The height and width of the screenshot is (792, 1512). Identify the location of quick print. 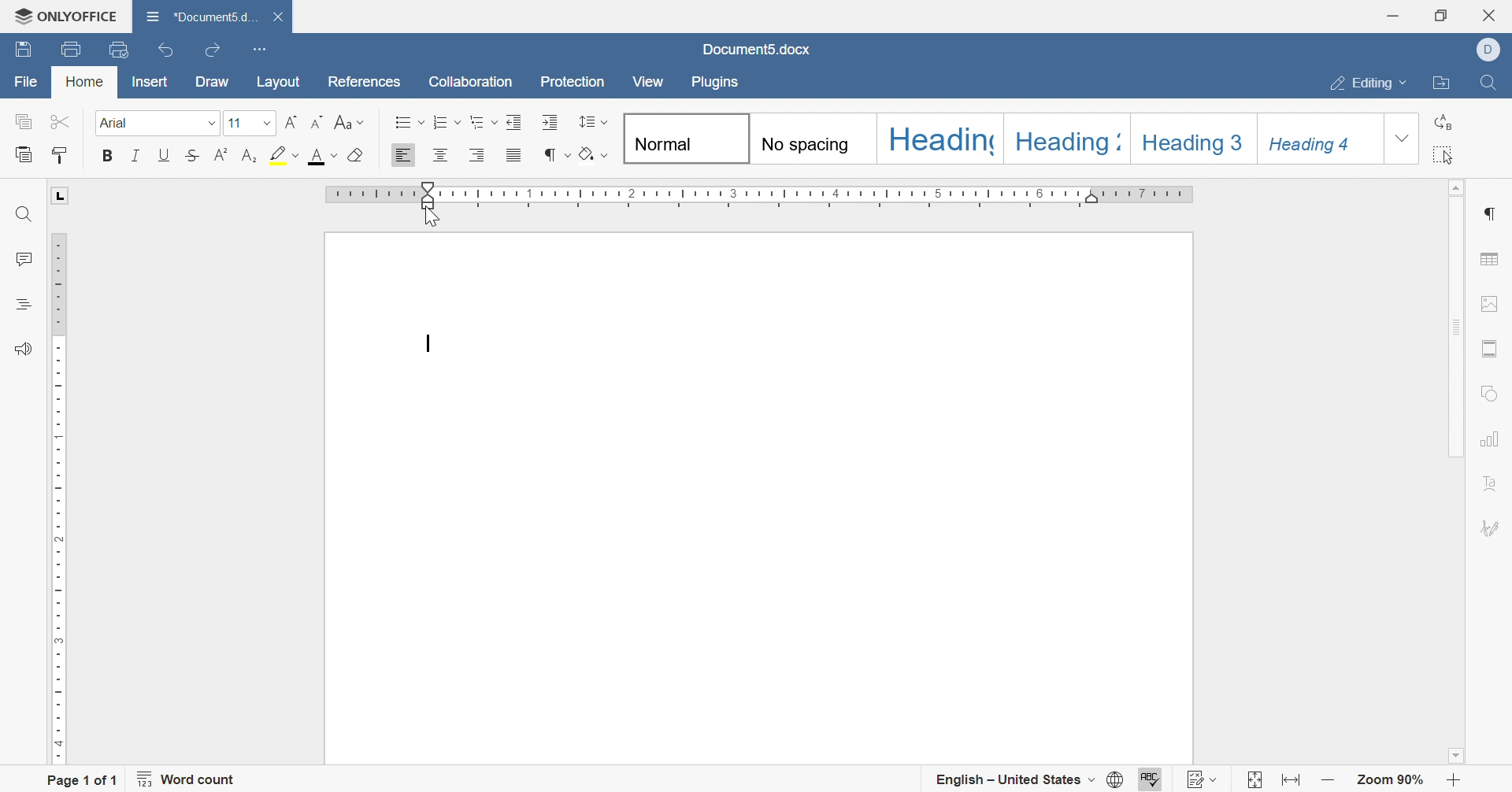
(120, 47).